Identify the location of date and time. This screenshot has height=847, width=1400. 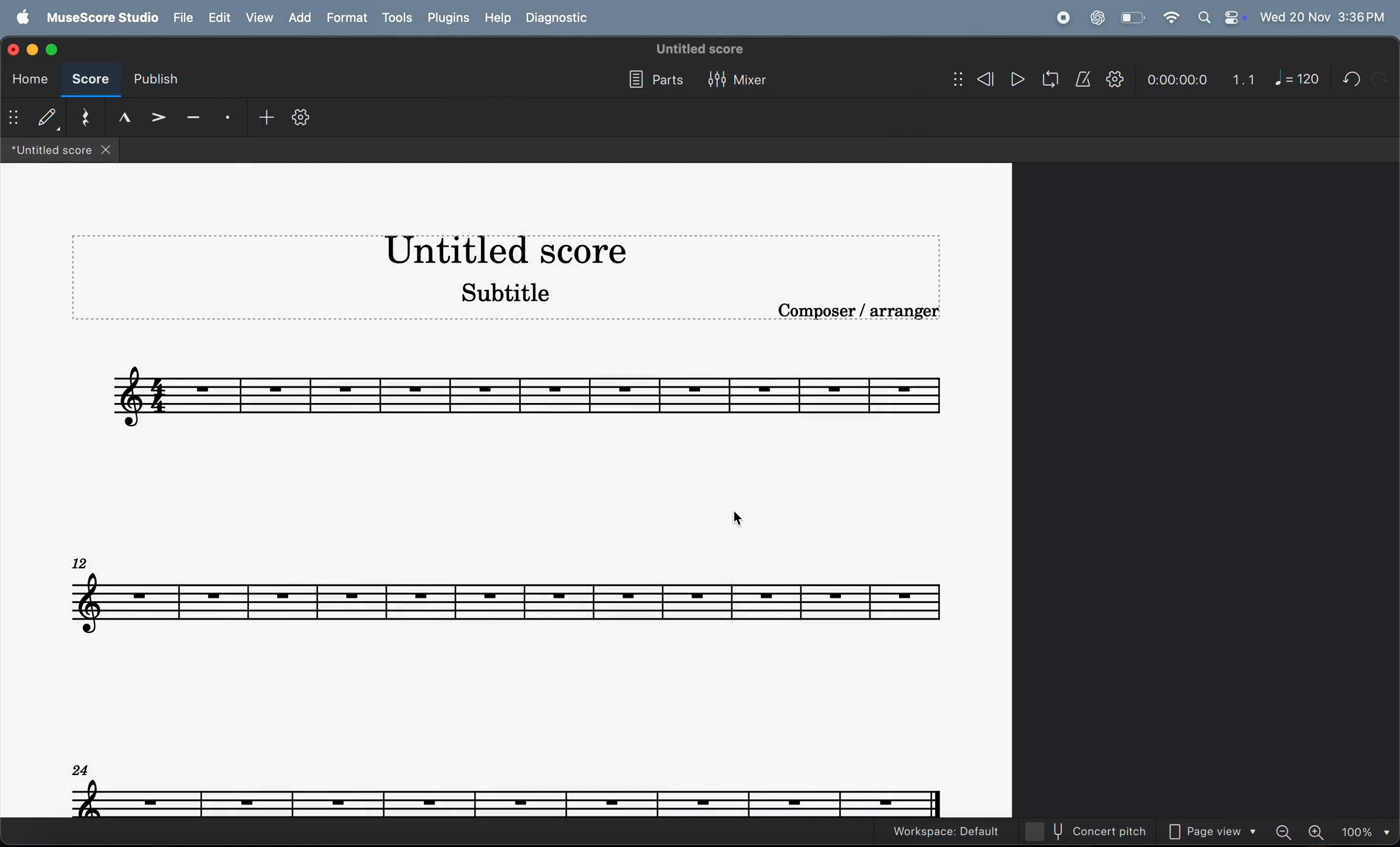
(1323, 15).